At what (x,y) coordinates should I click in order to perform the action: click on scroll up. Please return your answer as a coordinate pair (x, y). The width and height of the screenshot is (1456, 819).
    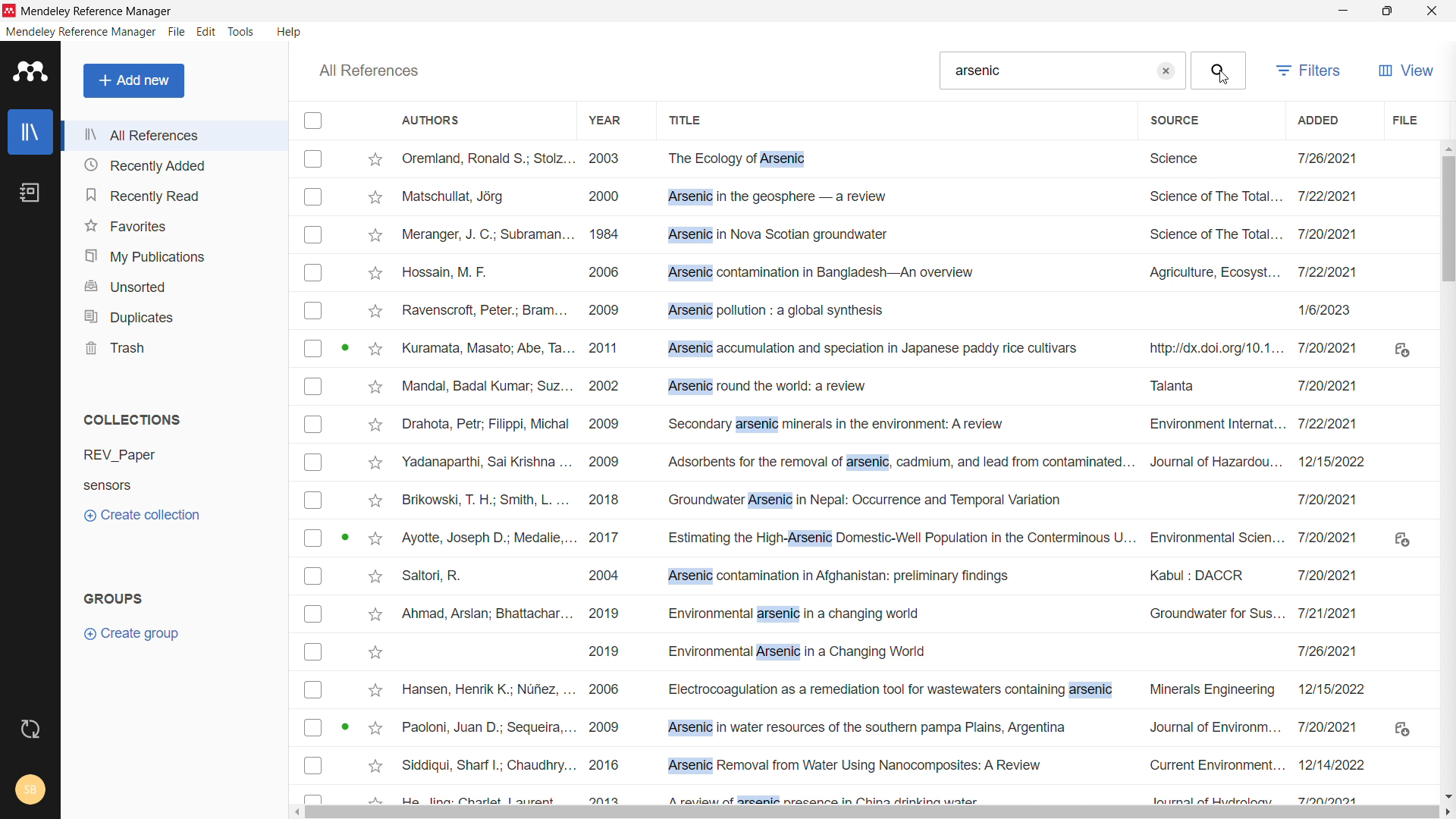
    Looking at the image, I should click on (1446, 148).